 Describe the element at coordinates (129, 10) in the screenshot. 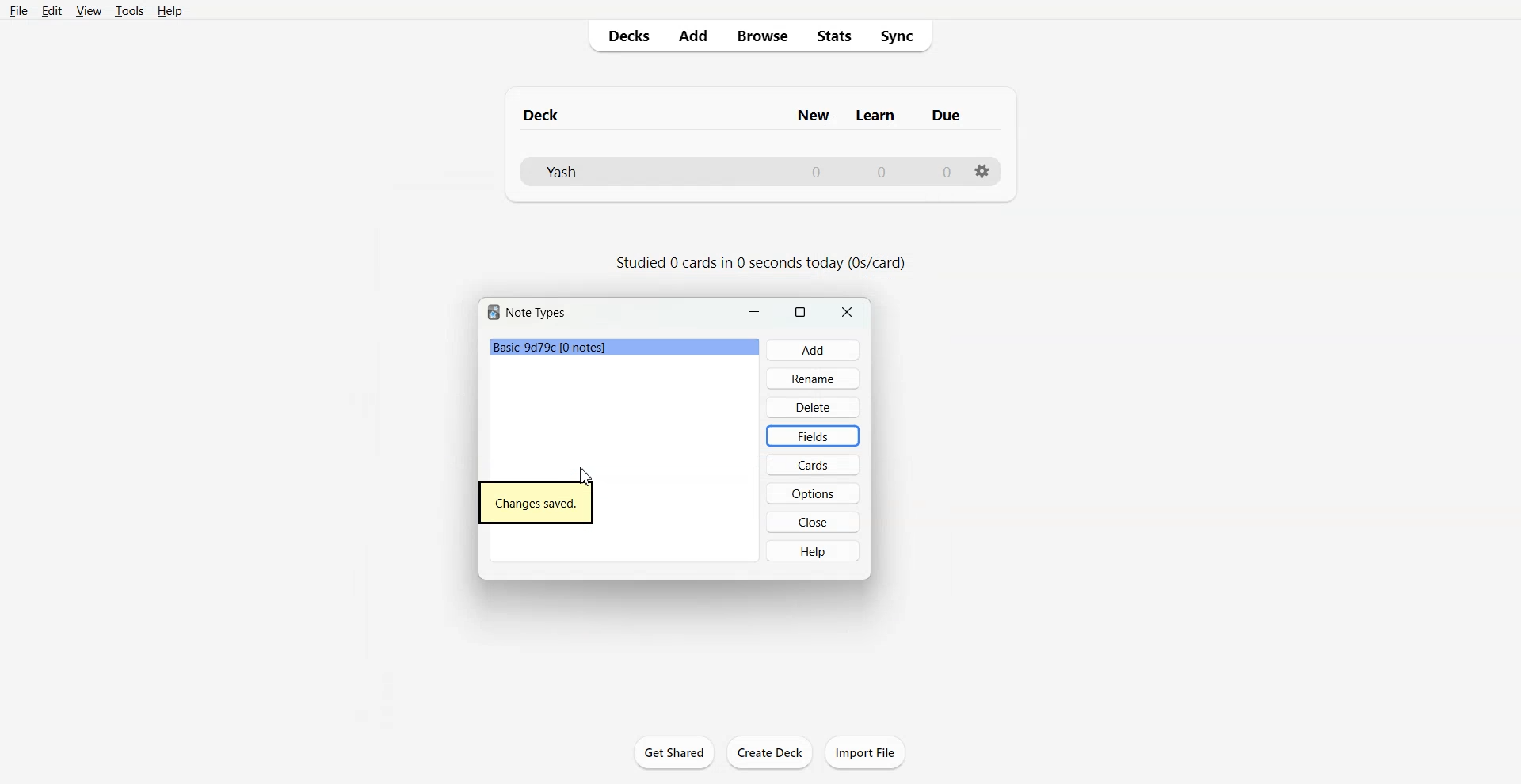

I see `Tools` at that location.